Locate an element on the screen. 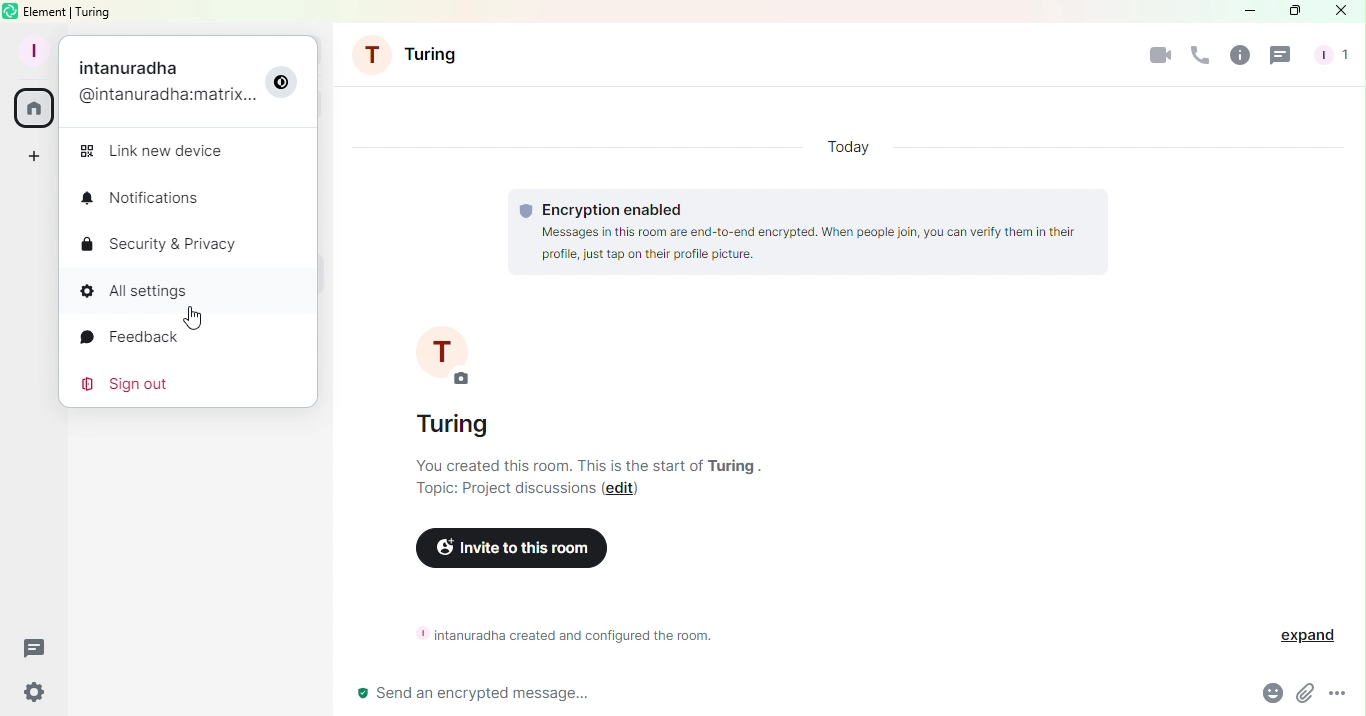 This screenshot has height=716, width=1366. Create a space is located at coordinates (34, 156).